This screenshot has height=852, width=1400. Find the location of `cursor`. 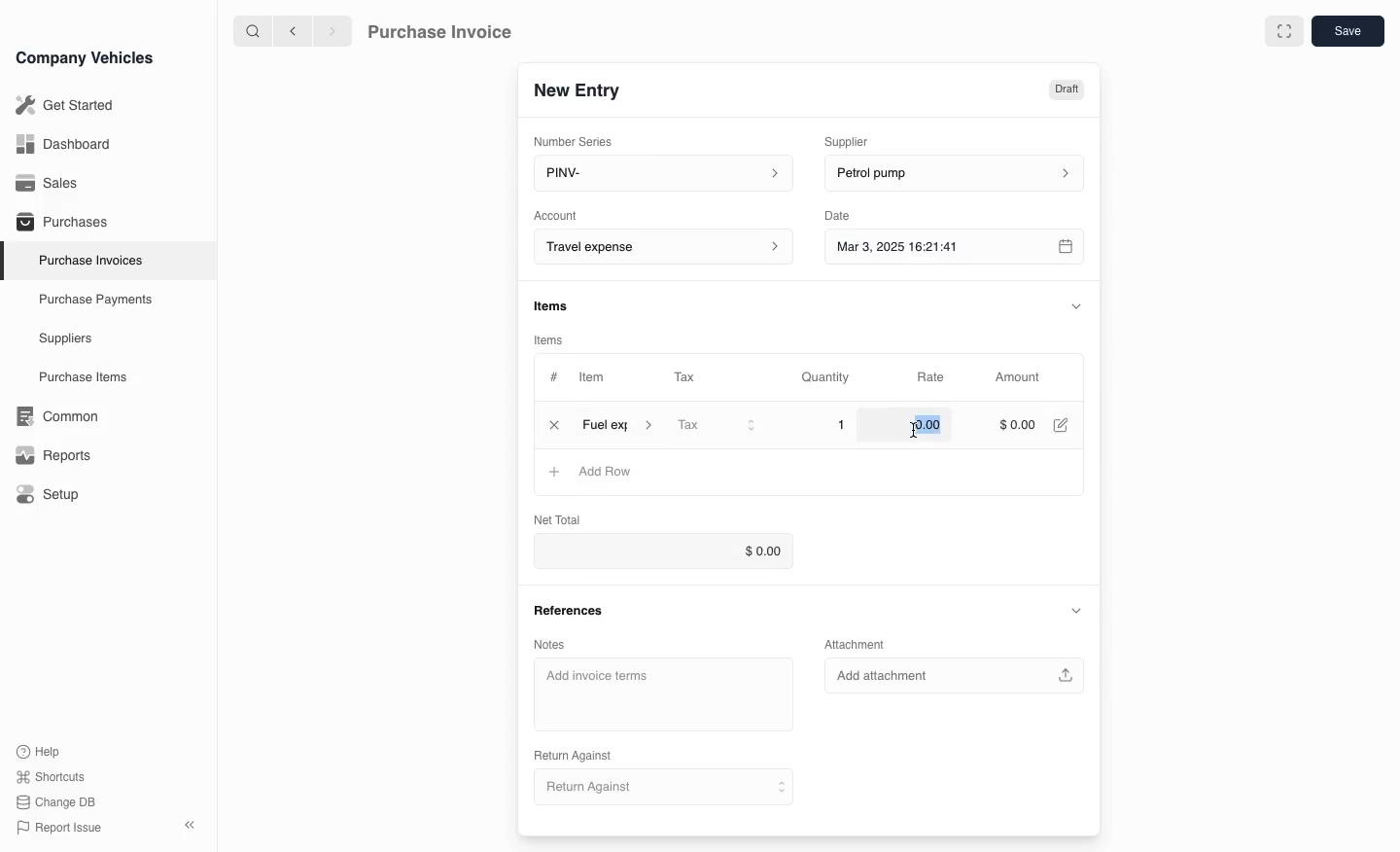

cursor is located at coordinates (909, 430).